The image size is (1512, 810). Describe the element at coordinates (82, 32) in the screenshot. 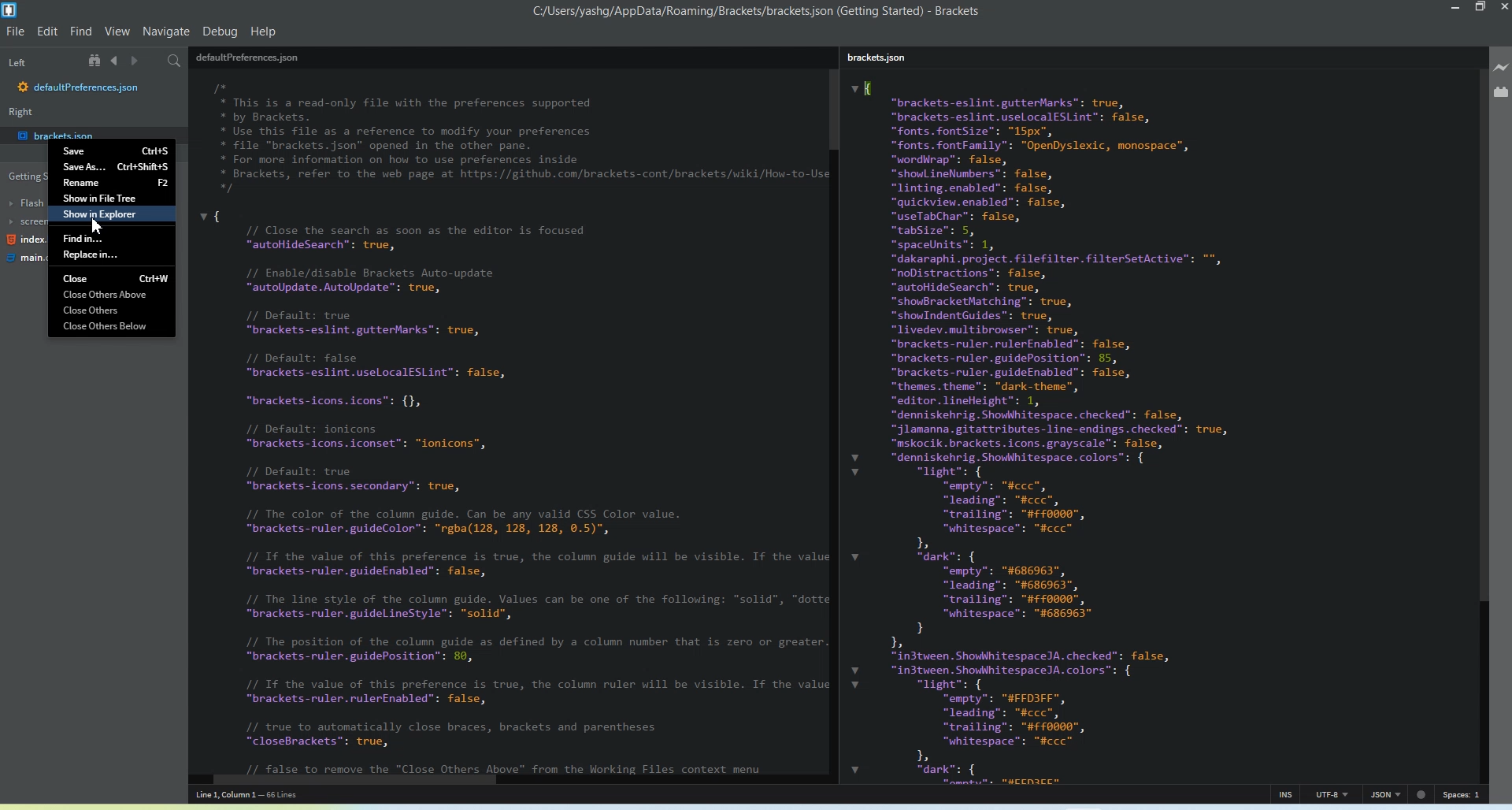

I see `Find` at that location.